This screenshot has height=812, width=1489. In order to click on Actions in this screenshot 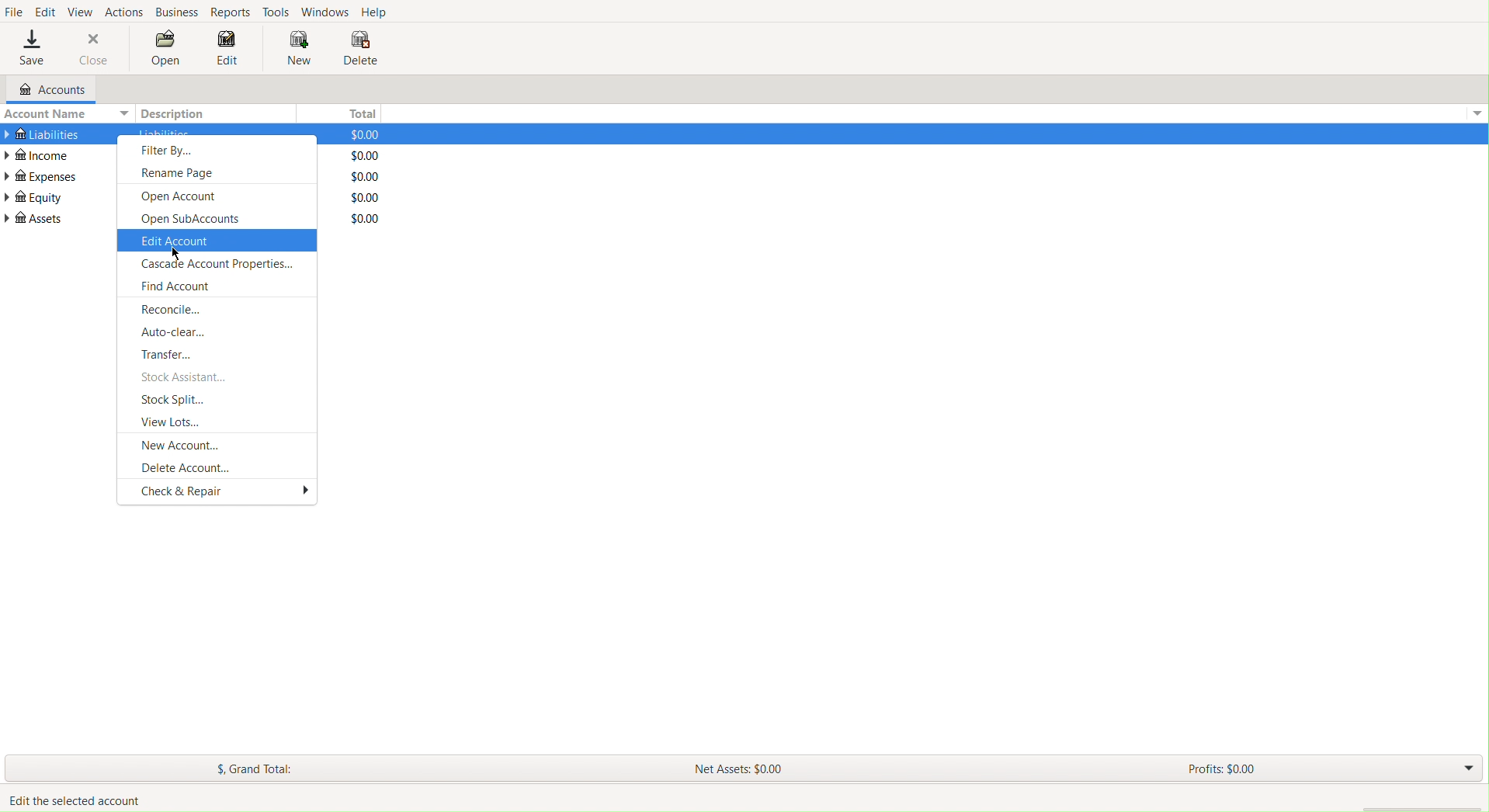, I will do `click(124, 10)`.